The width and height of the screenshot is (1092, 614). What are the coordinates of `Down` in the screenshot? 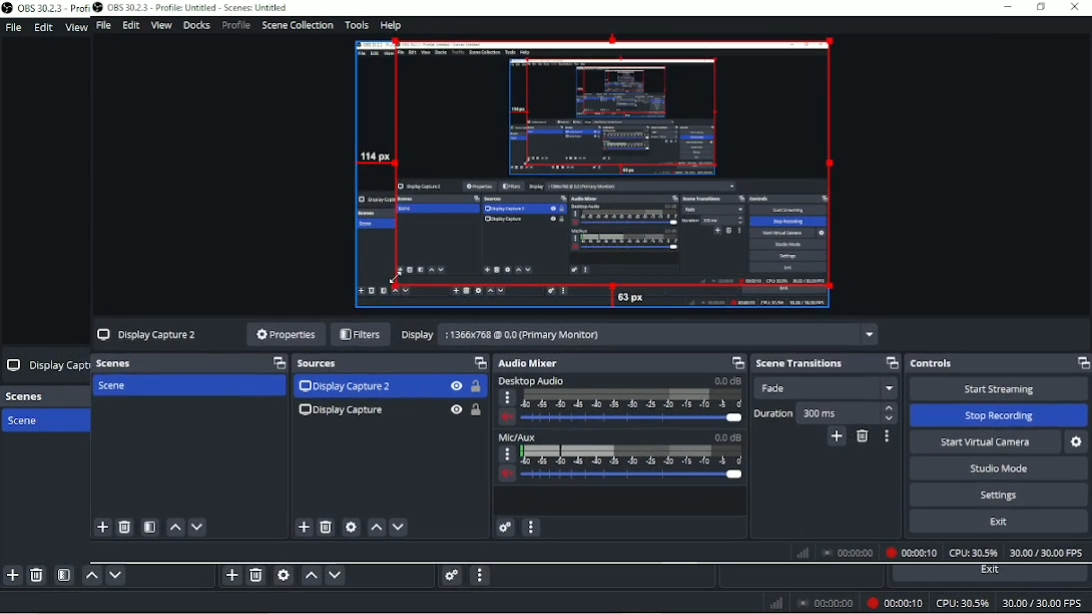 It's located at (402, 528).